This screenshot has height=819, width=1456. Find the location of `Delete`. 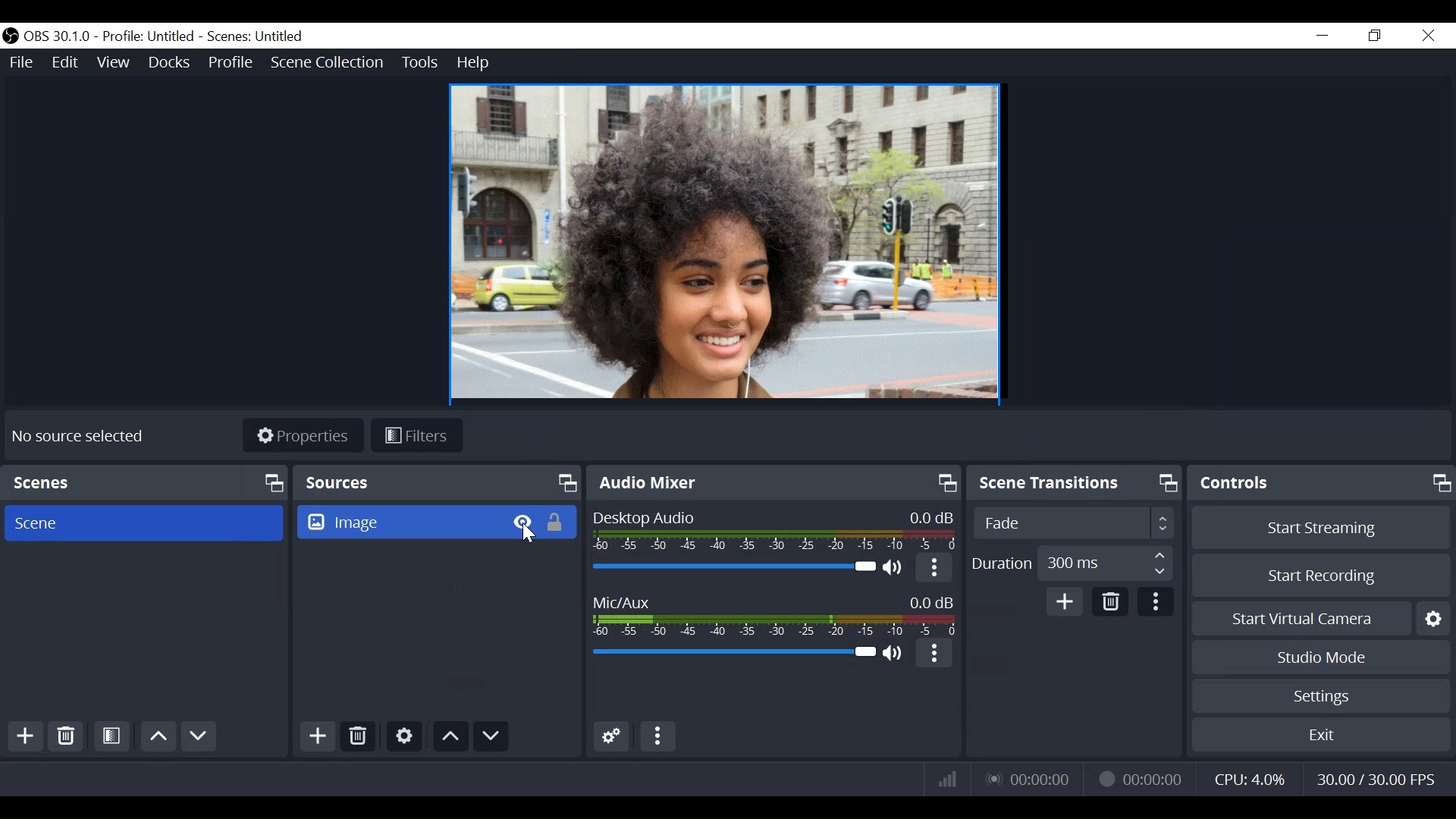

Delete is located at coordinates (65, 736).